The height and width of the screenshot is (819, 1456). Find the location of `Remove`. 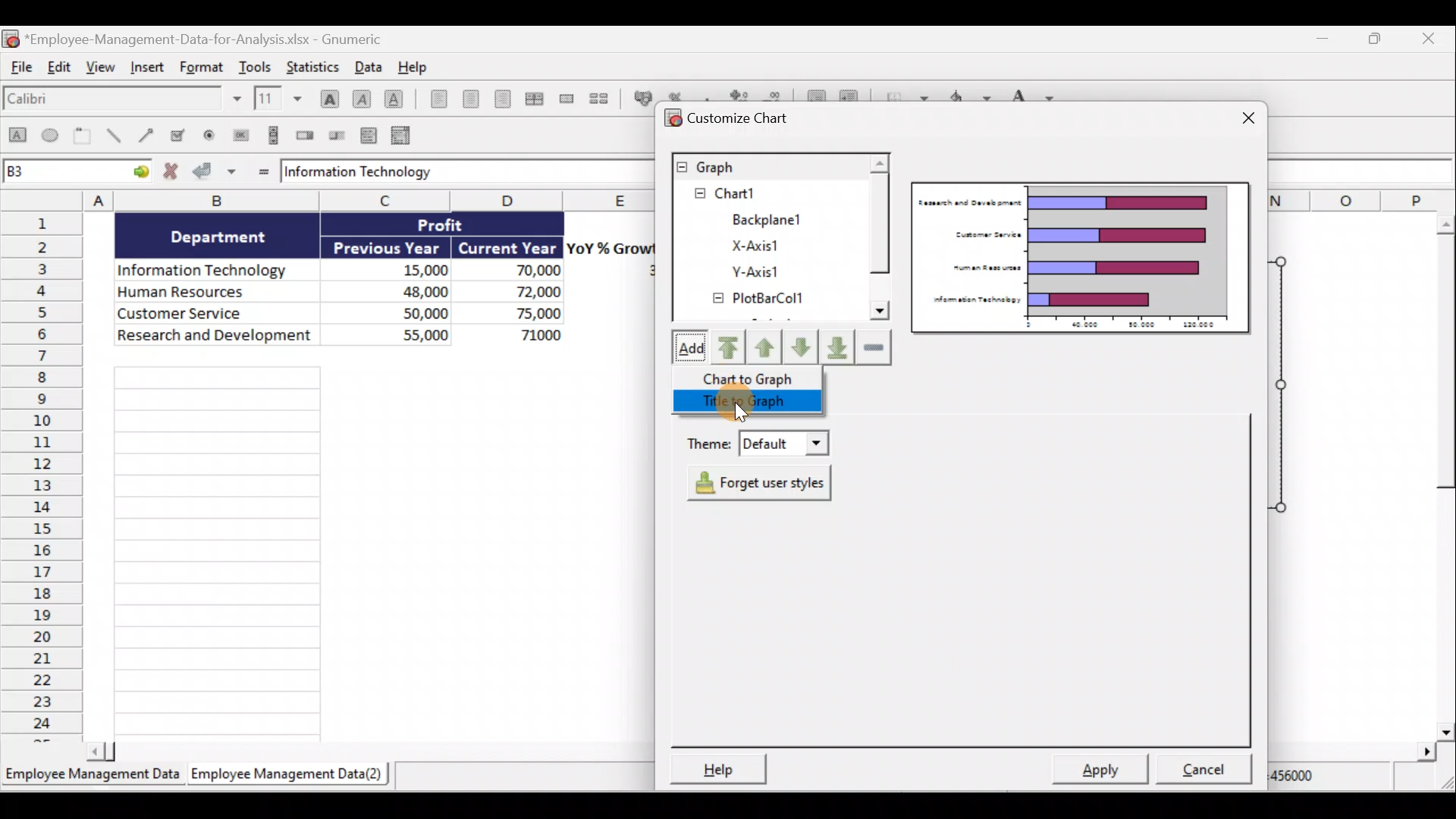

Remove is located at coordinates (873, 347).